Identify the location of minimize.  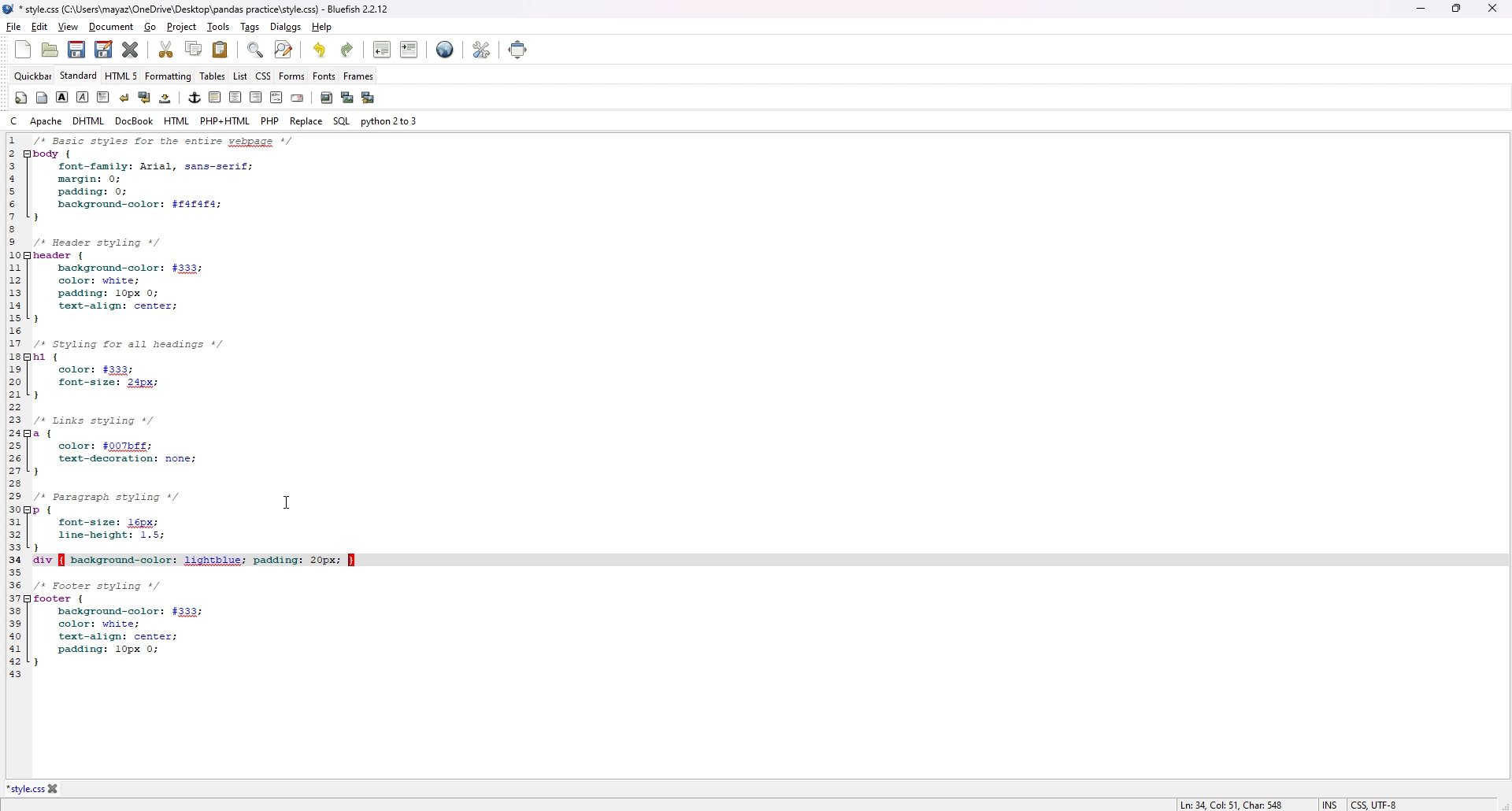
(1420, 9).